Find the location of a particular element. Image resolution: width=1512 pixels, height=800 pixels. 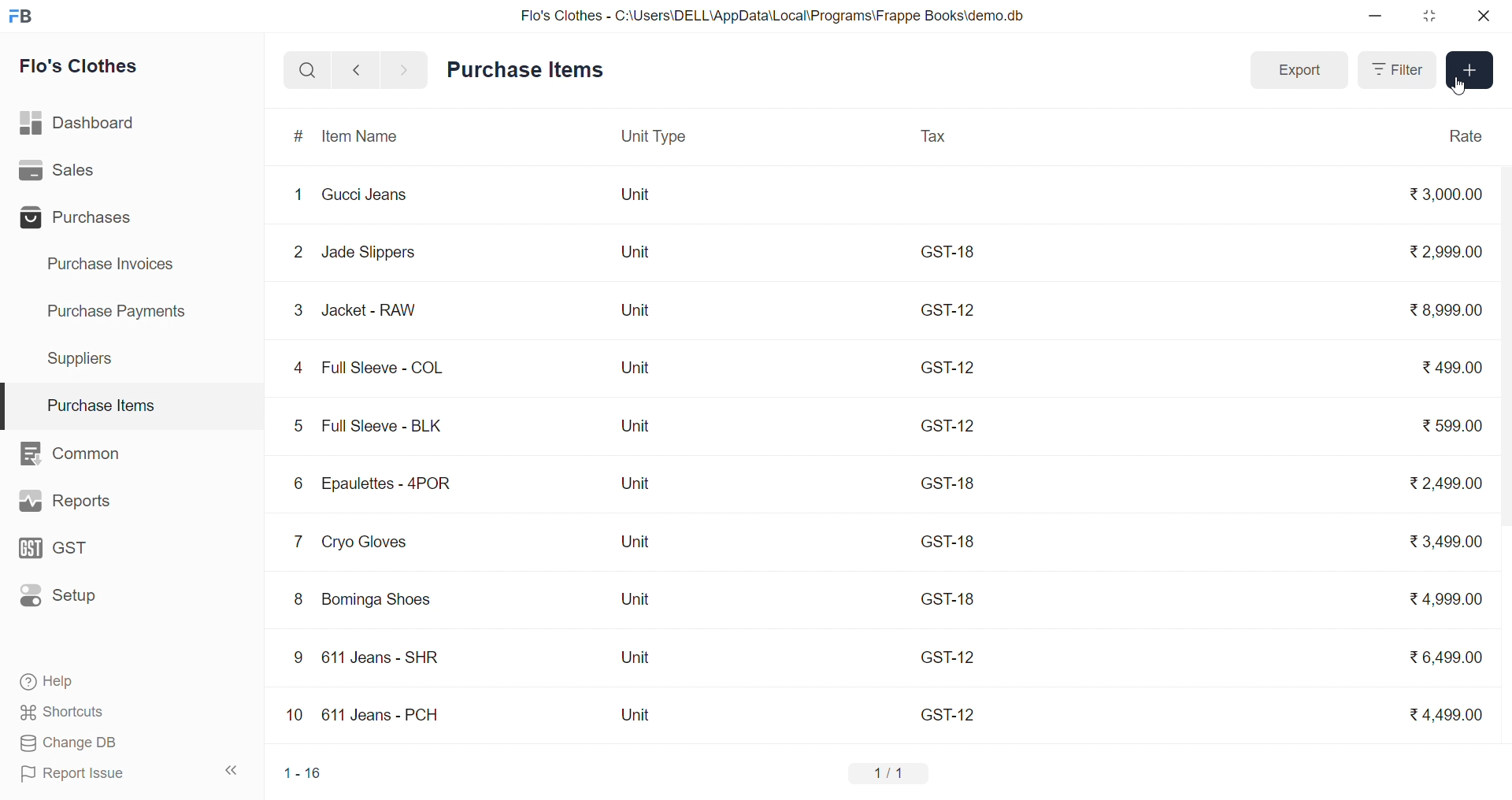

Unit Type is located at coordinates (653, 139).